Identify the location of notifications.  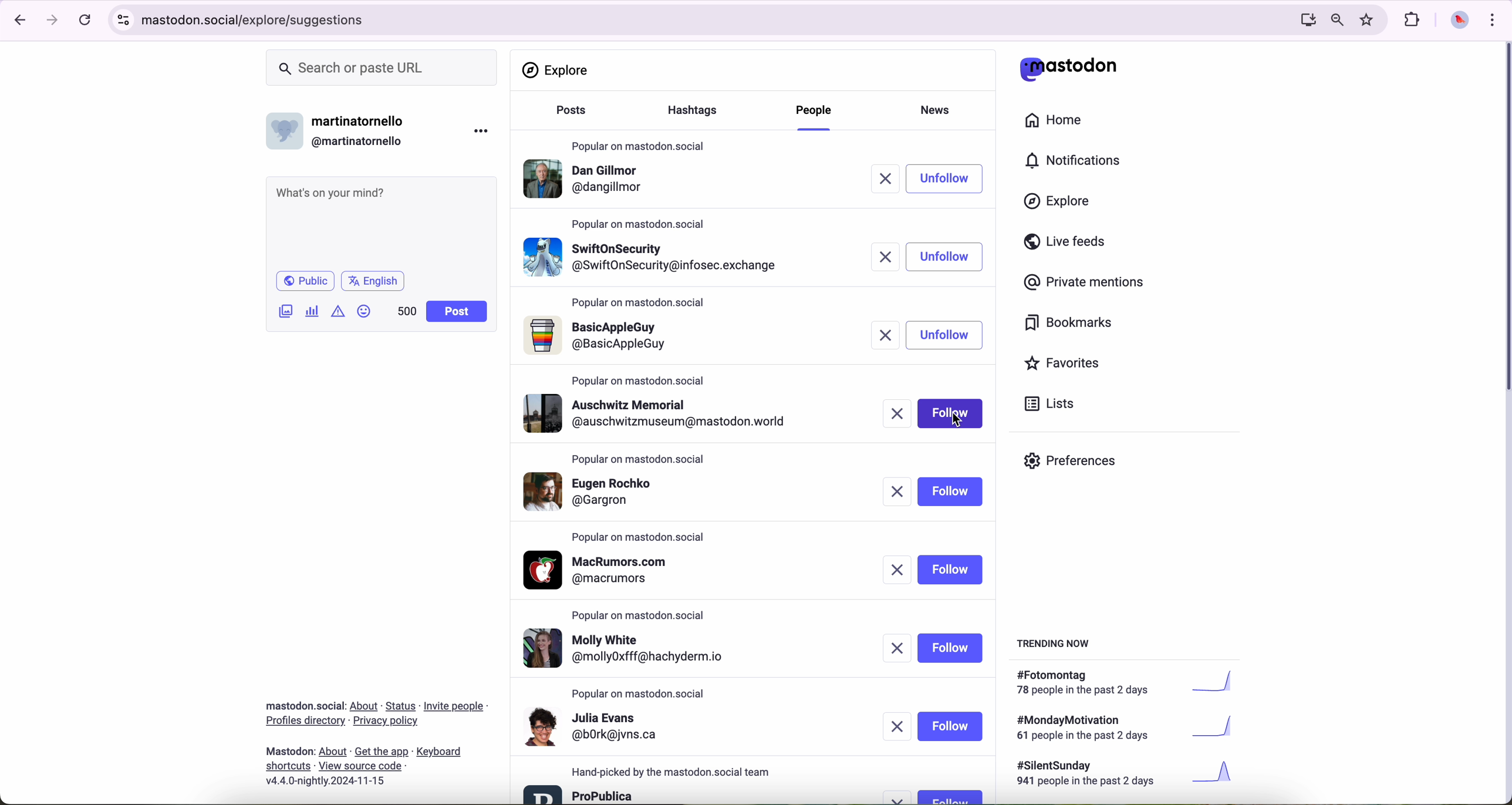
(1078, 161).